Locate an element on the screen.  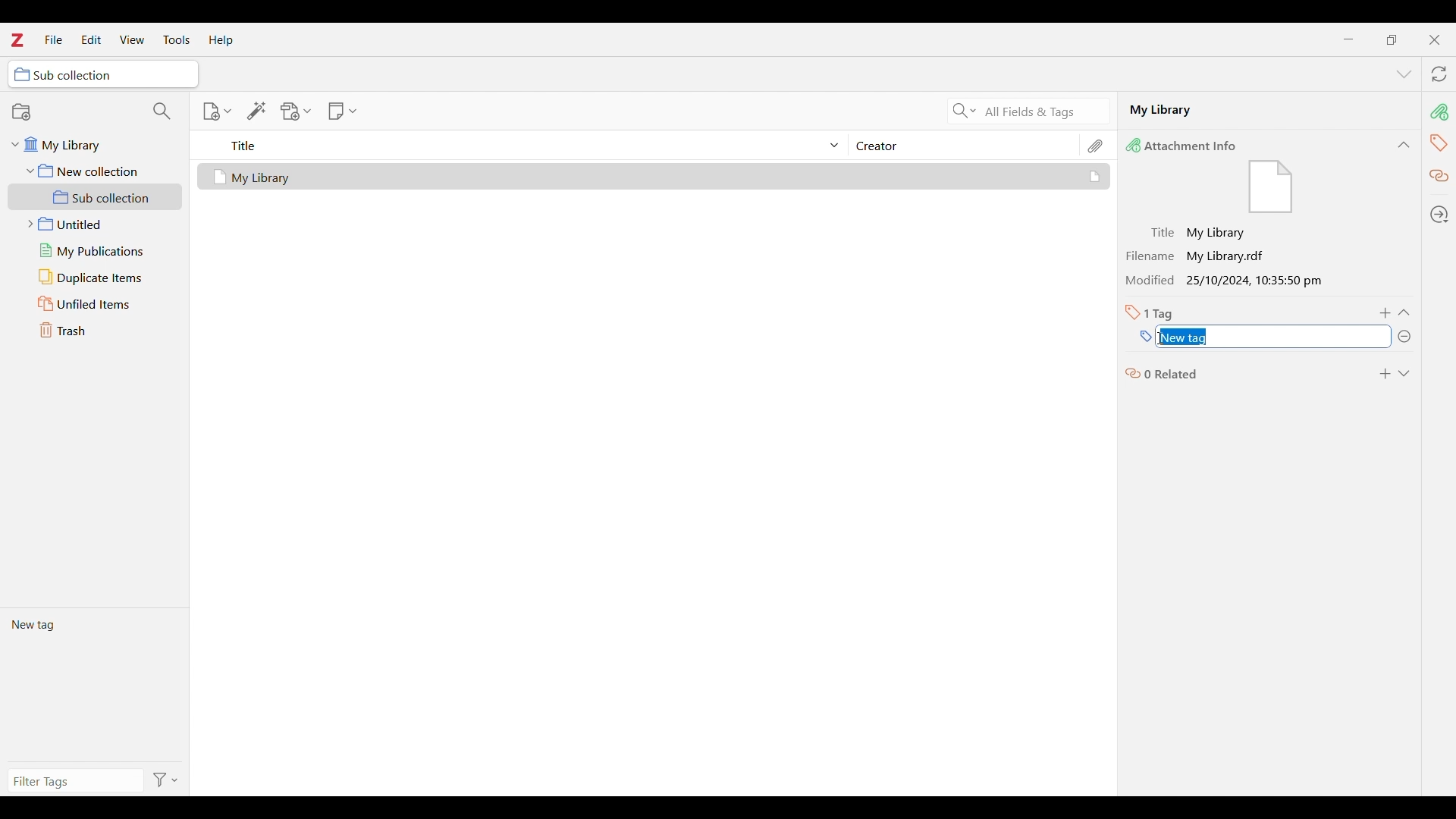
Trash folder is located at coordinates (95, 330).